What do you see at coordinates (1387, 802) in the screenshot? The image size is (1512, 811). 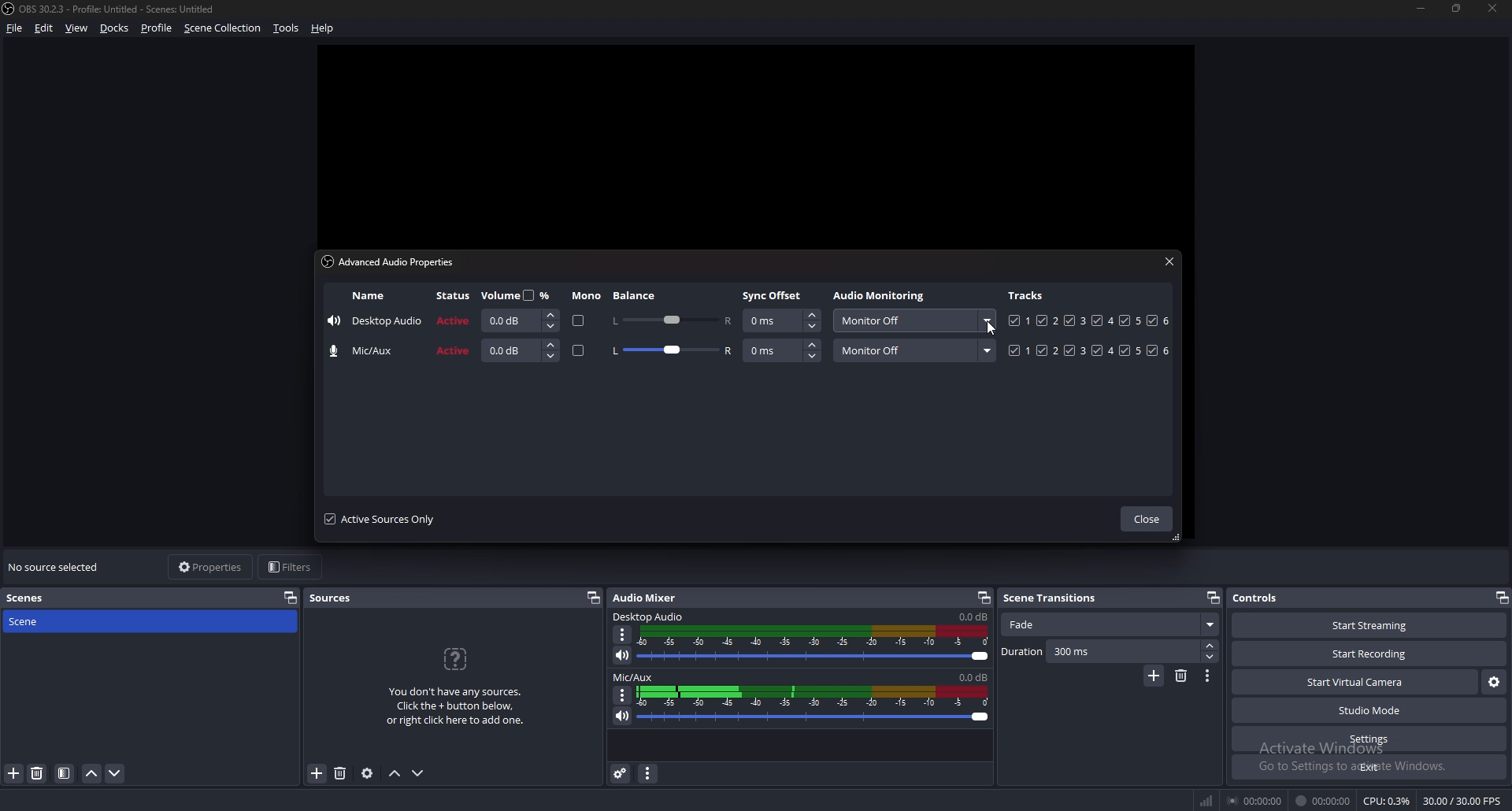 I see `CPU: 0.3%` at bounding box center [1387, 802].